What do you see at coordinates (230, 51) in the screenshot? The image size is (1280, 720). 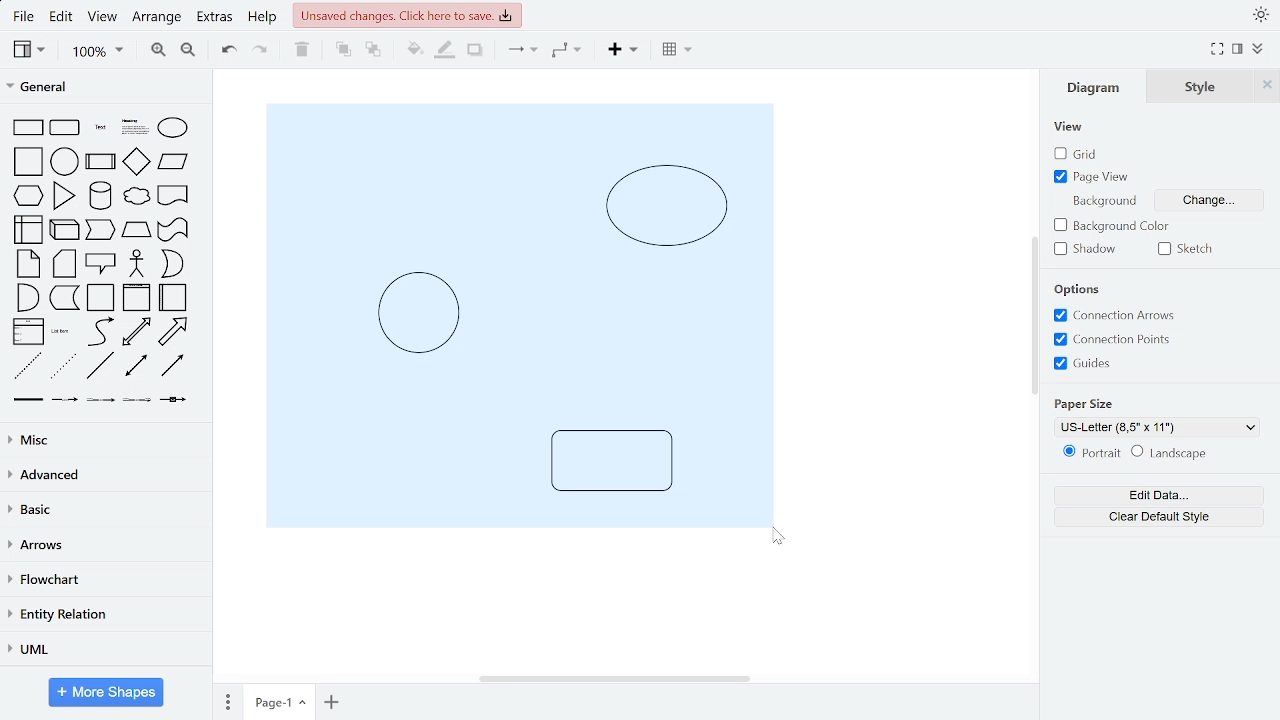 I see `undo` at bounding box center [230, 51].